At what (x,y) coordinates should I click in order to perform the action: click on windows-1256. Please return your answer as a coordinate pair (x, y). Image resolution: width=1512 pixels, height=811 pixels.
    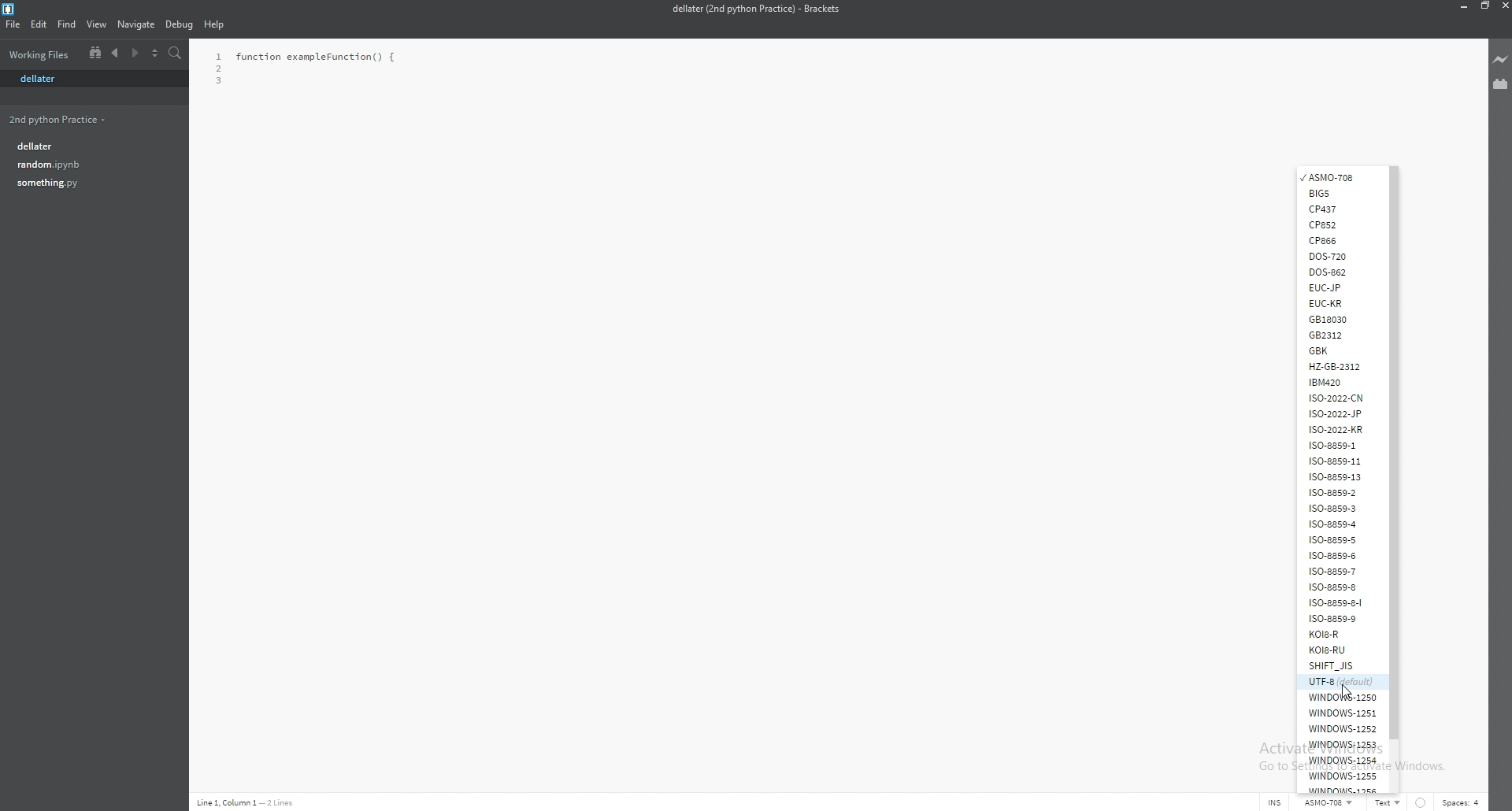
    Looking at the image, I should click on (1341, 788).